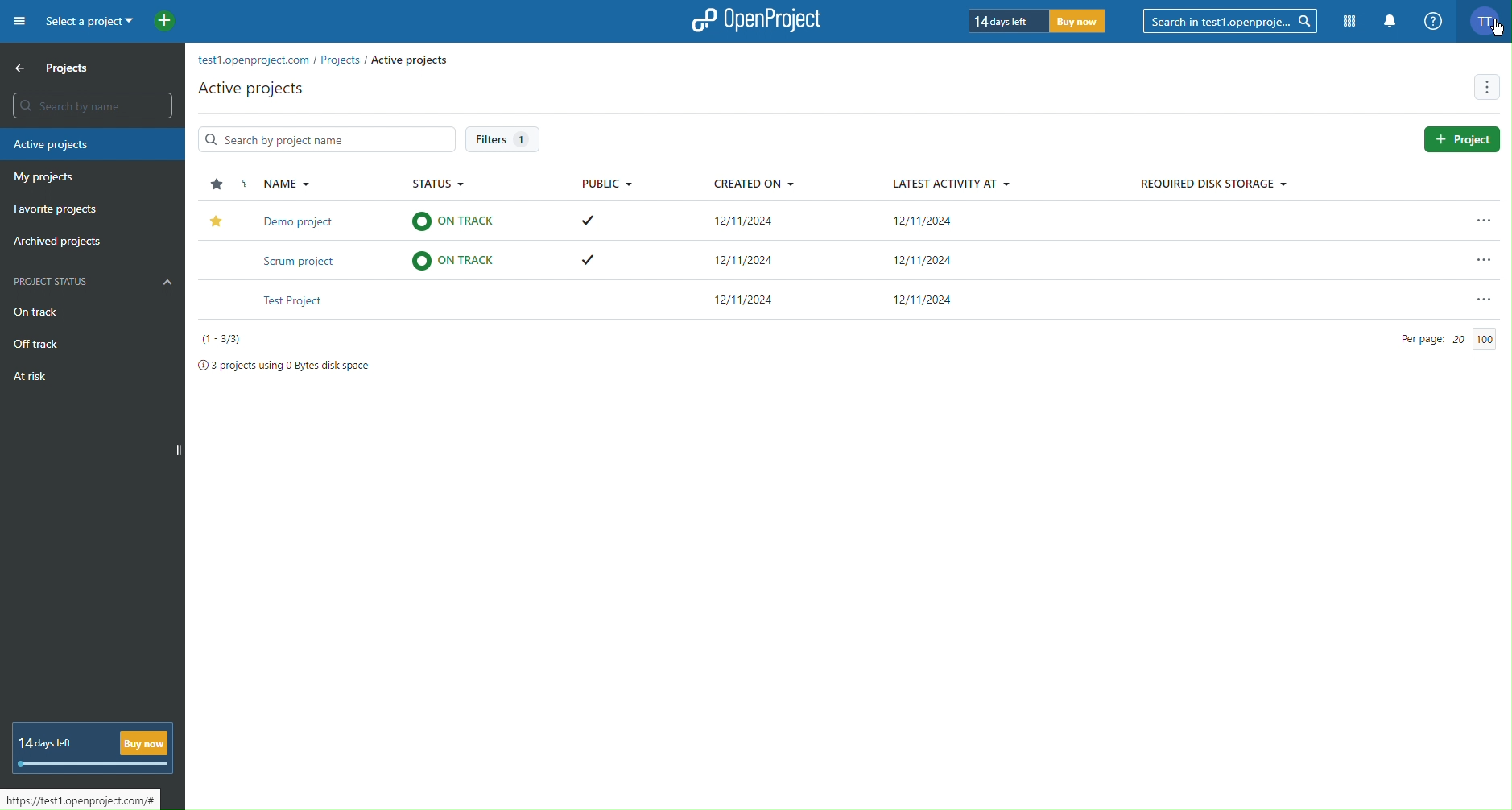 The image size is (1512, 810). What do you see at coordinates (605, 180) in the screenshot?
I see `Public` at bounding box center [605, 180].